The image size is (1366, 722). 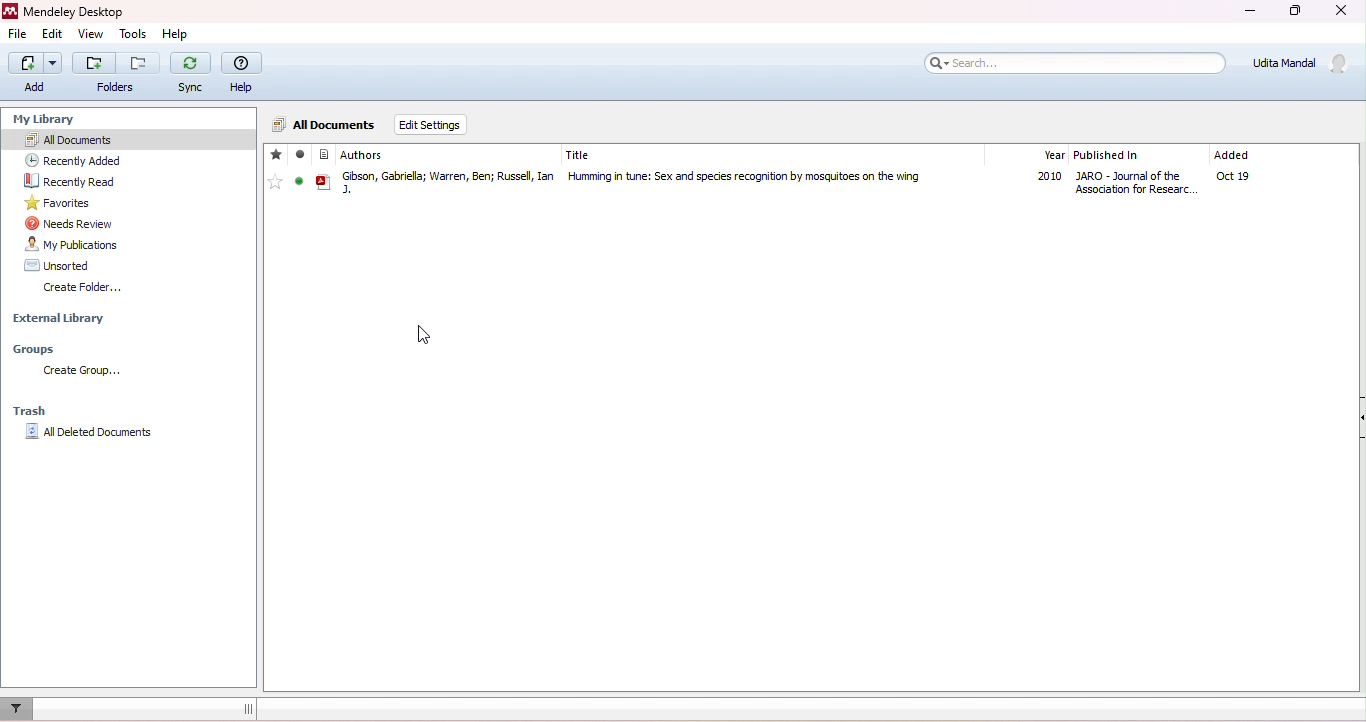 What do you see at coordinates (278, 183) in the screenshot?
I see `add favorite` at bounding box center [278, 183].